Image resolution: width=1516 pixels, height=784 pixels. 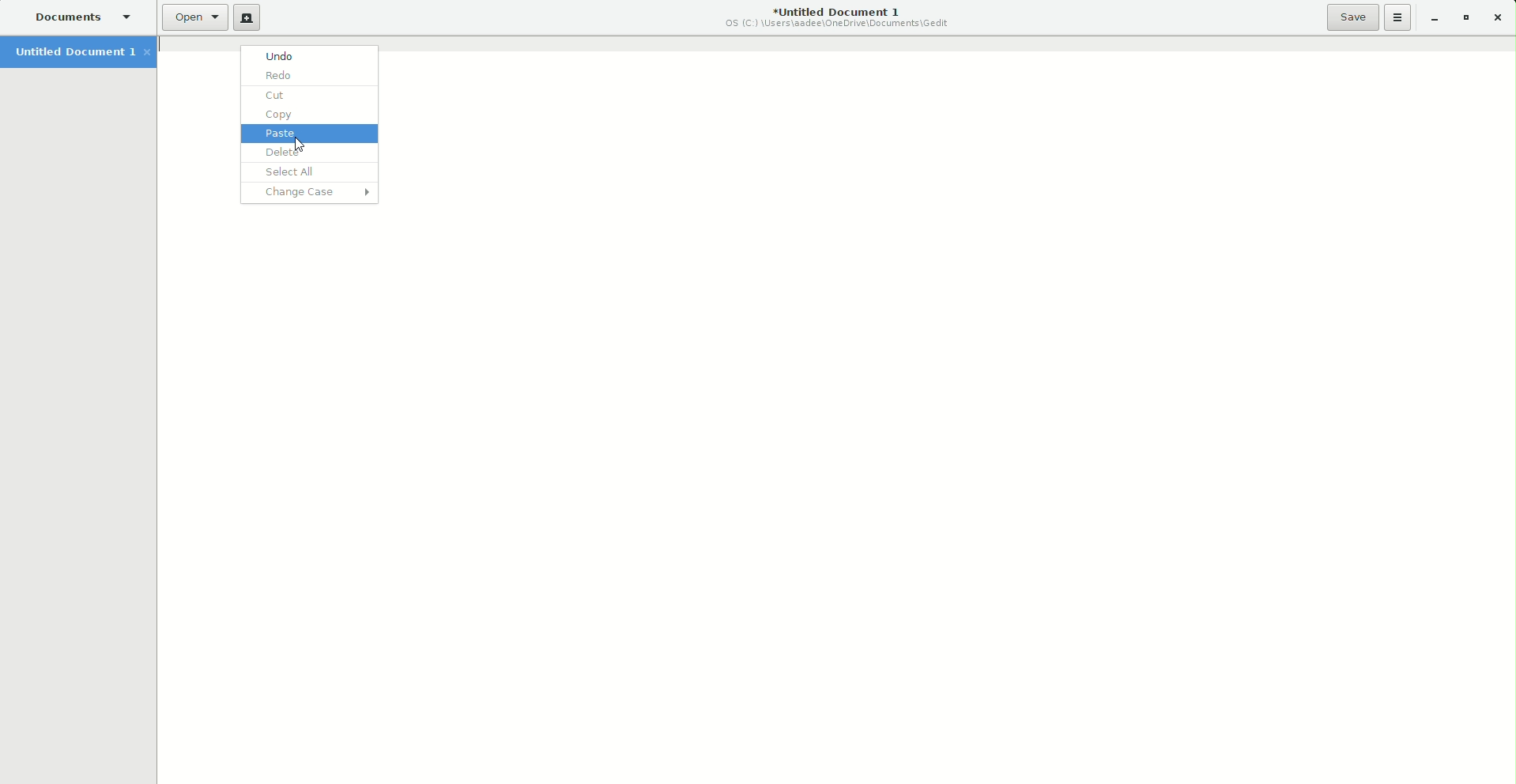 What do you see at coordinates (194, 17) in the screenshot?
I see `Open` at bounding box center [194, 17].